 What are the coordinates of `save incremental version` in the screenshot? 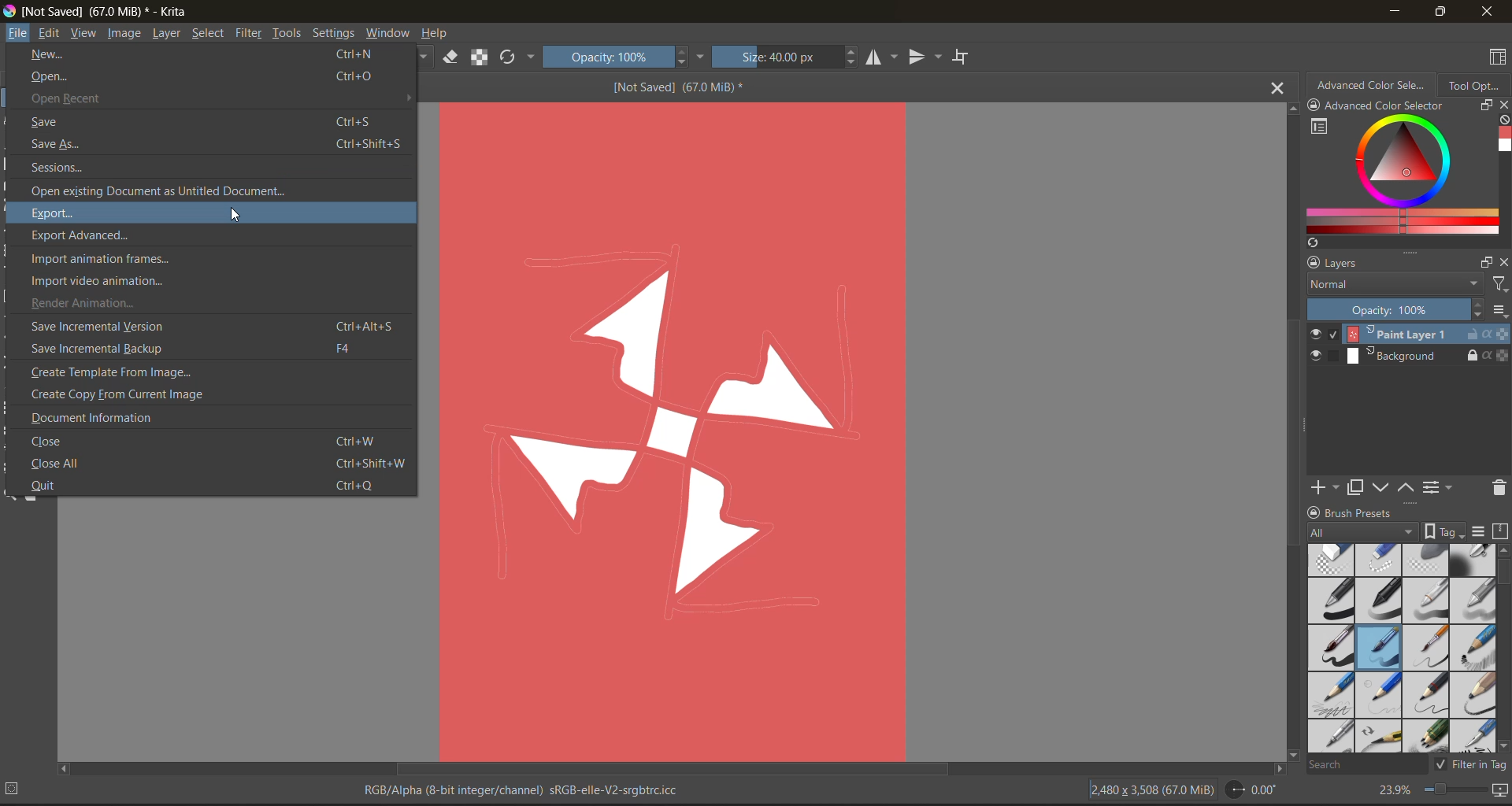 It's located at (213, 327).